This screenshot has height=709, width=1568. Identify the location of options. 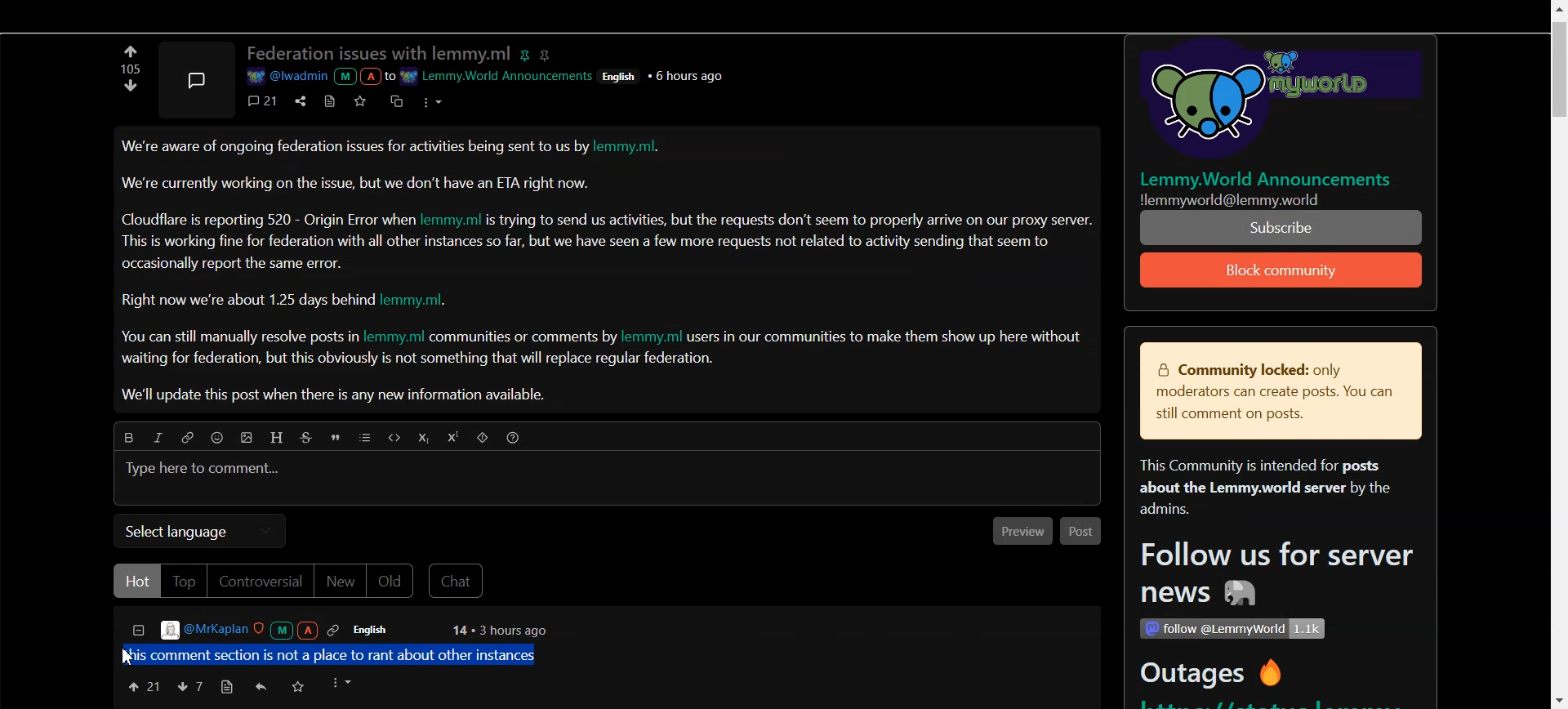
(344, 683).